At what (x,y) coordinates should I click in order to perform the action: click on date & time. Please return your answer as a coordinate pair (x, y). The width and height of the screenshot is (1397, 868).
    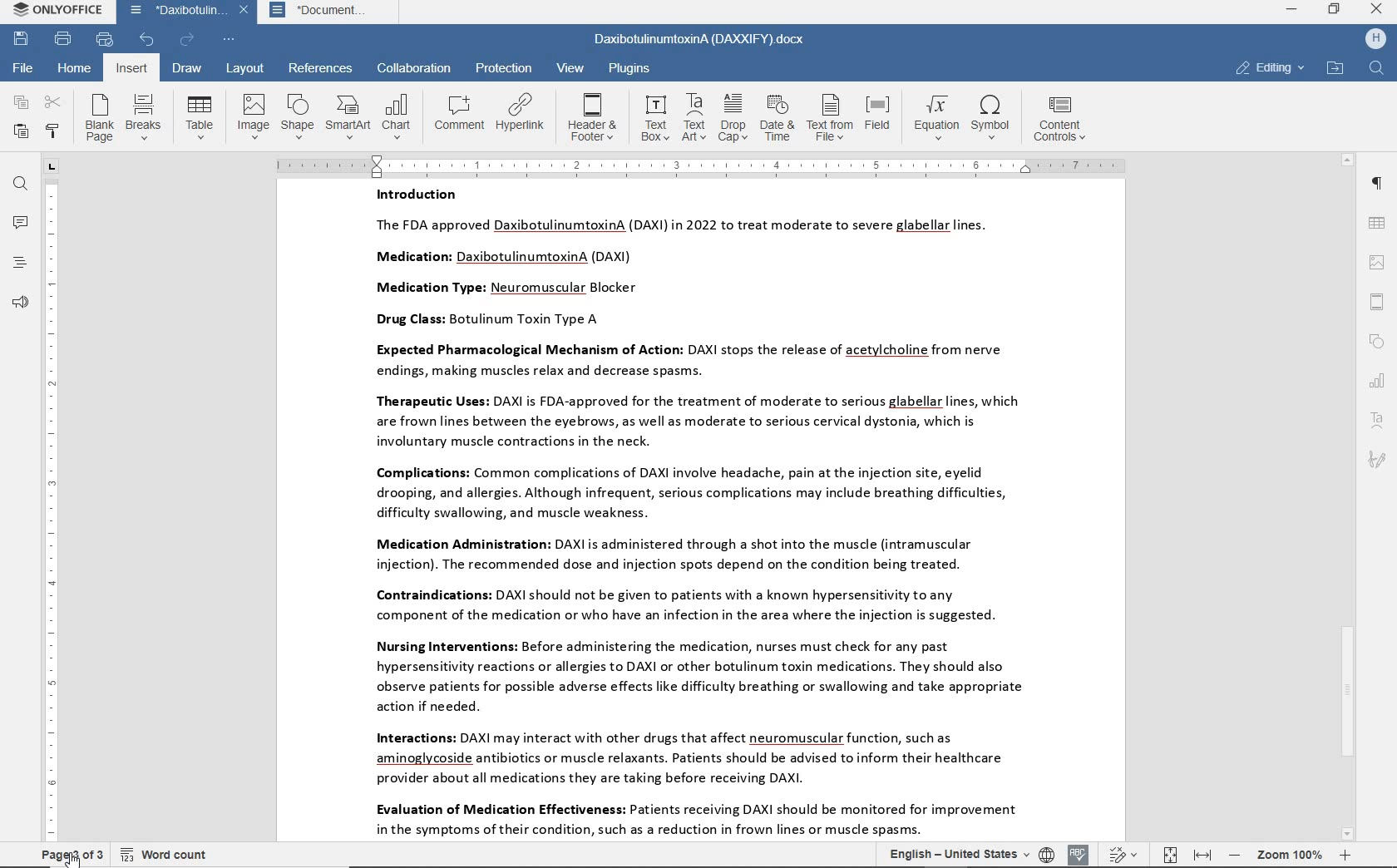
    Looking at the image, I should click on (779, 118).